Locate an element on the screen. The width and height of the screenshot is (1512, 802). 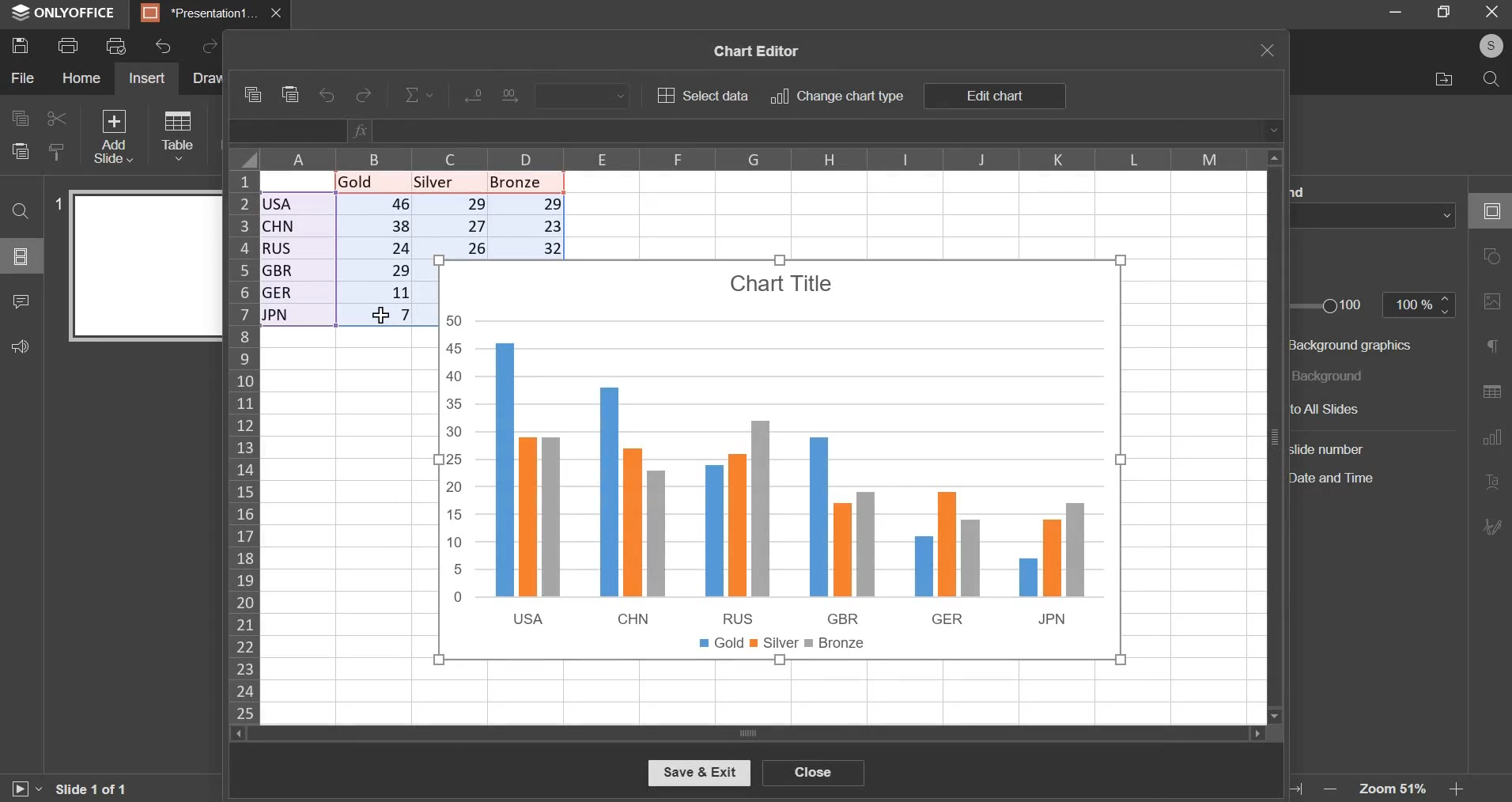
paragraph settings is located at coordinates (1493, 347).